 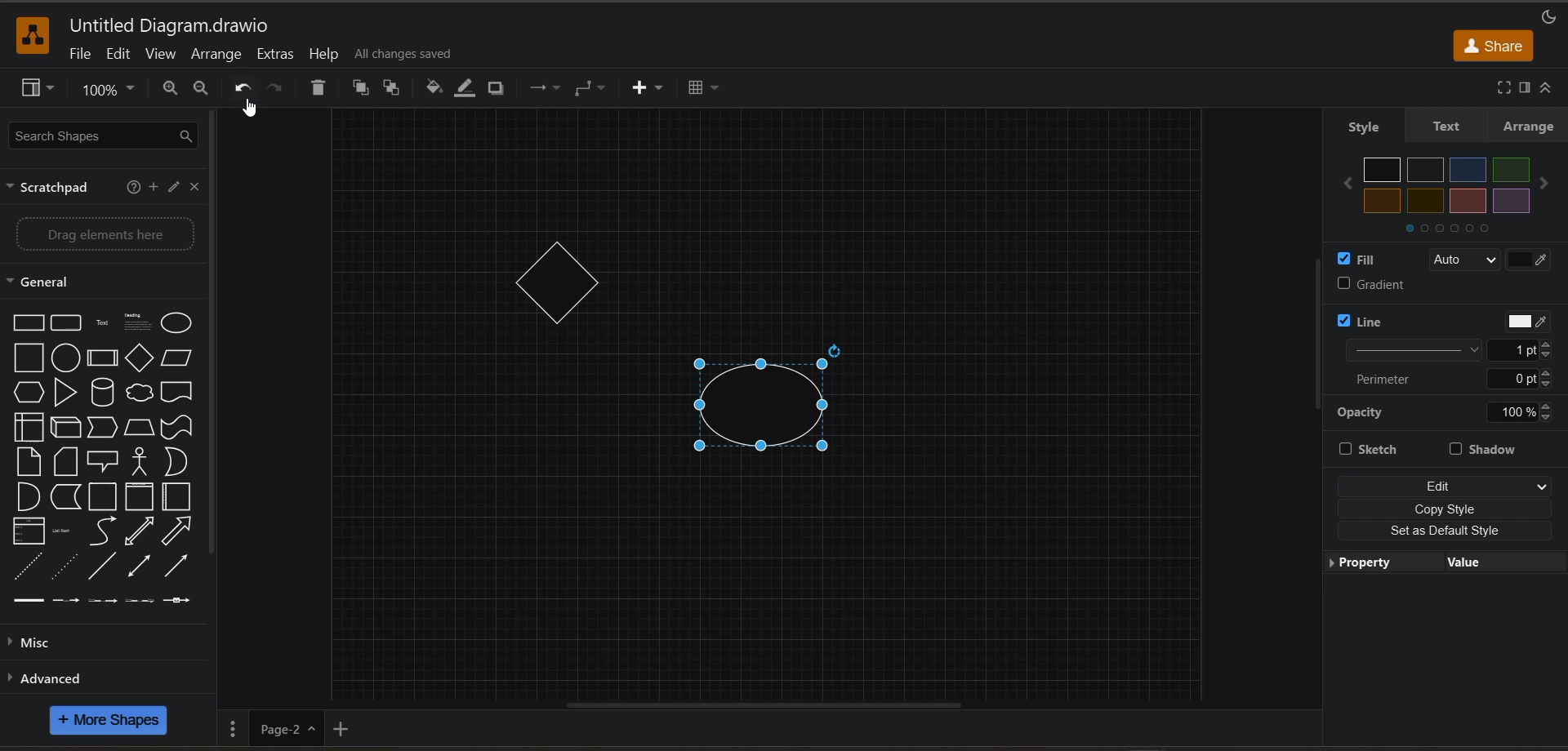 I want to click on List Item, so click(x=60, y=532).